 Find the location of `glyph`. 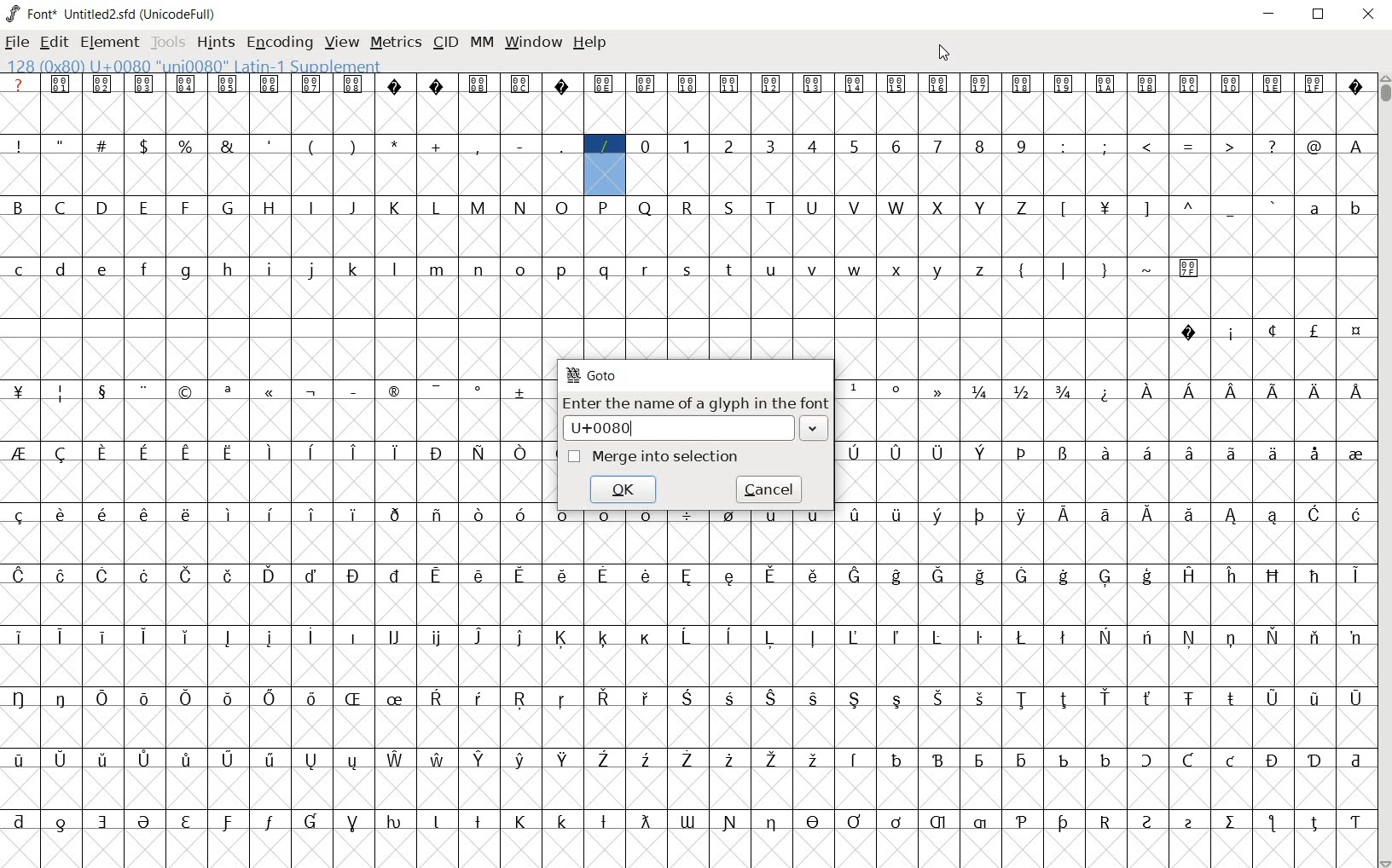

glyph is located at coordinates (1021, 576).